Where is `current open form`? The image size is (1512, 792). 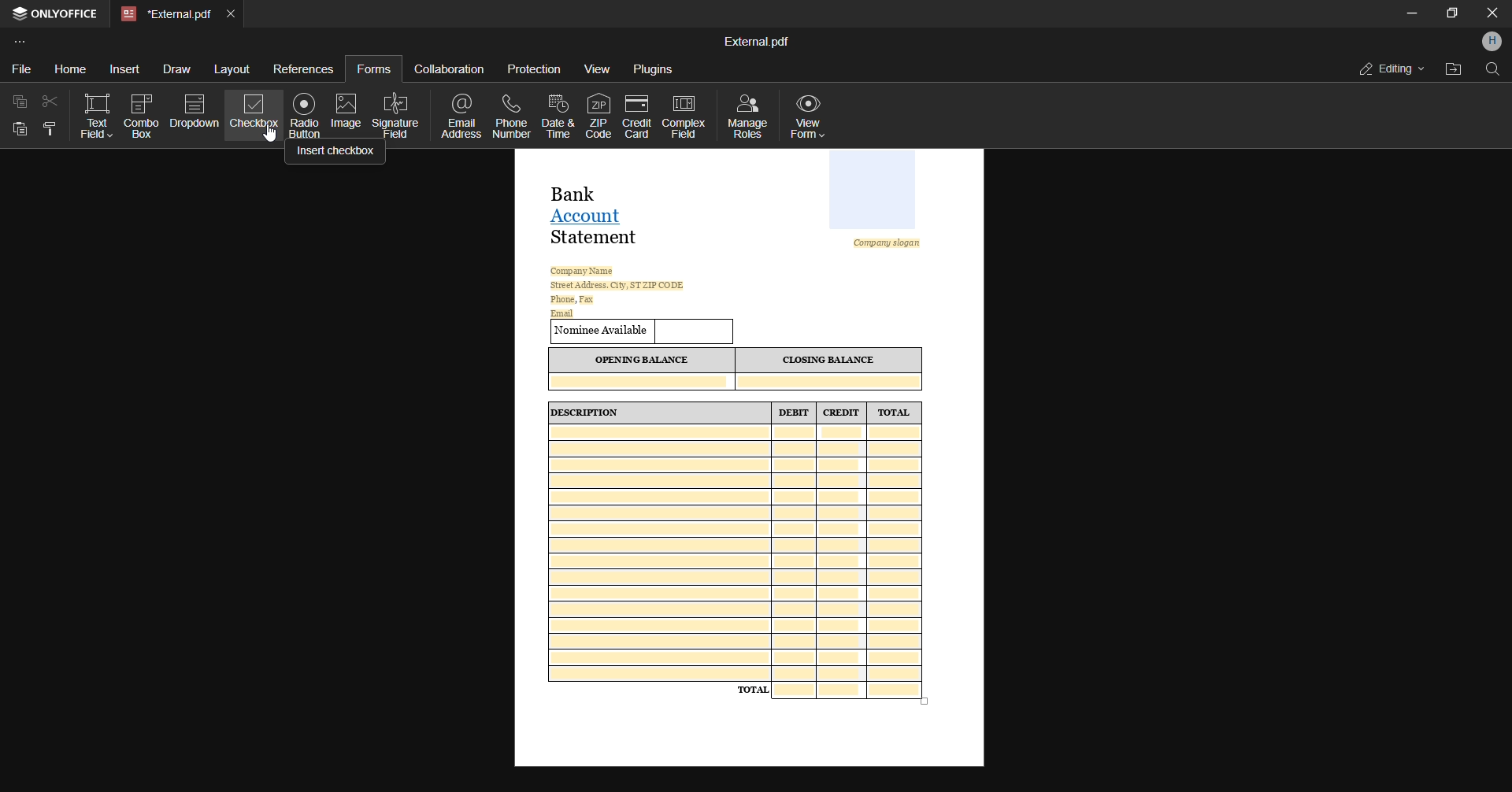 current open form is located at coordinates (750, 460).